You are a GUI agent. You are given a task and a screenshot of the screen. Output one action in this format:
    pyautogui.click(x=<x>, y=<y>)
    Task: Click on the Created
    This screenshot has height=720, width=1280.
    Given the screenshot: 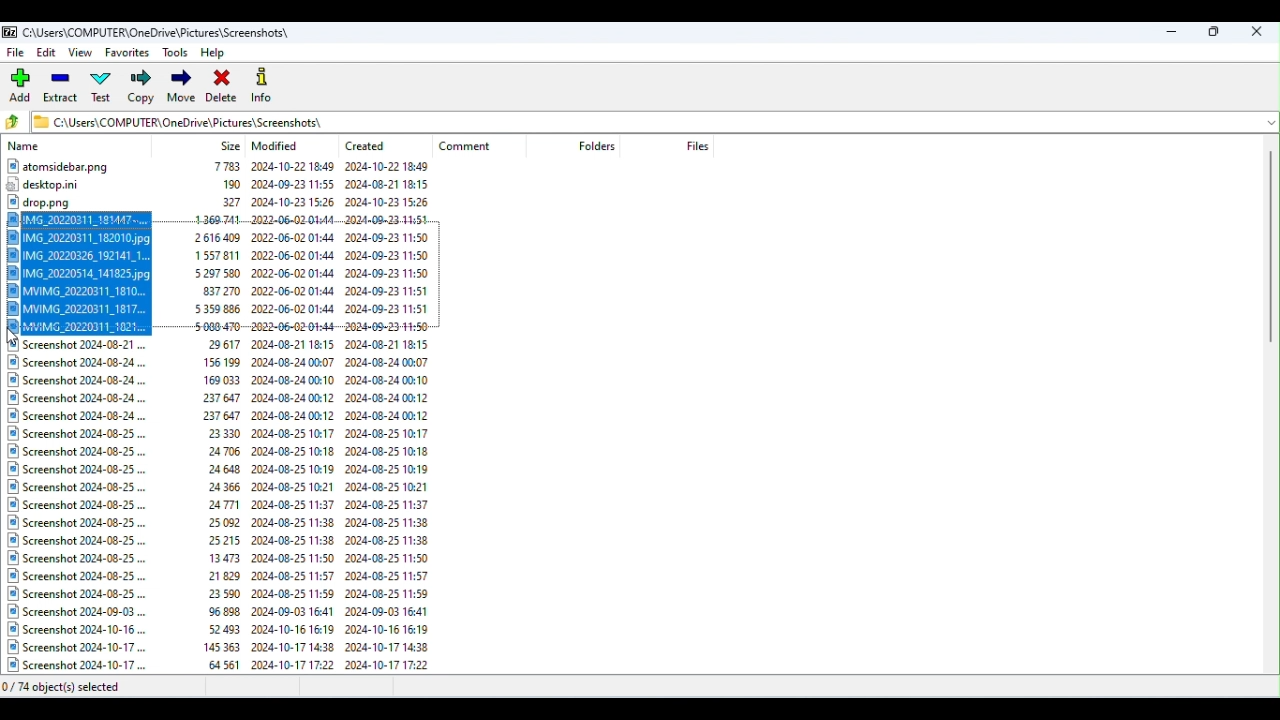 What is the action you would take?
    pyautogui.click(x=372, y=142)
    